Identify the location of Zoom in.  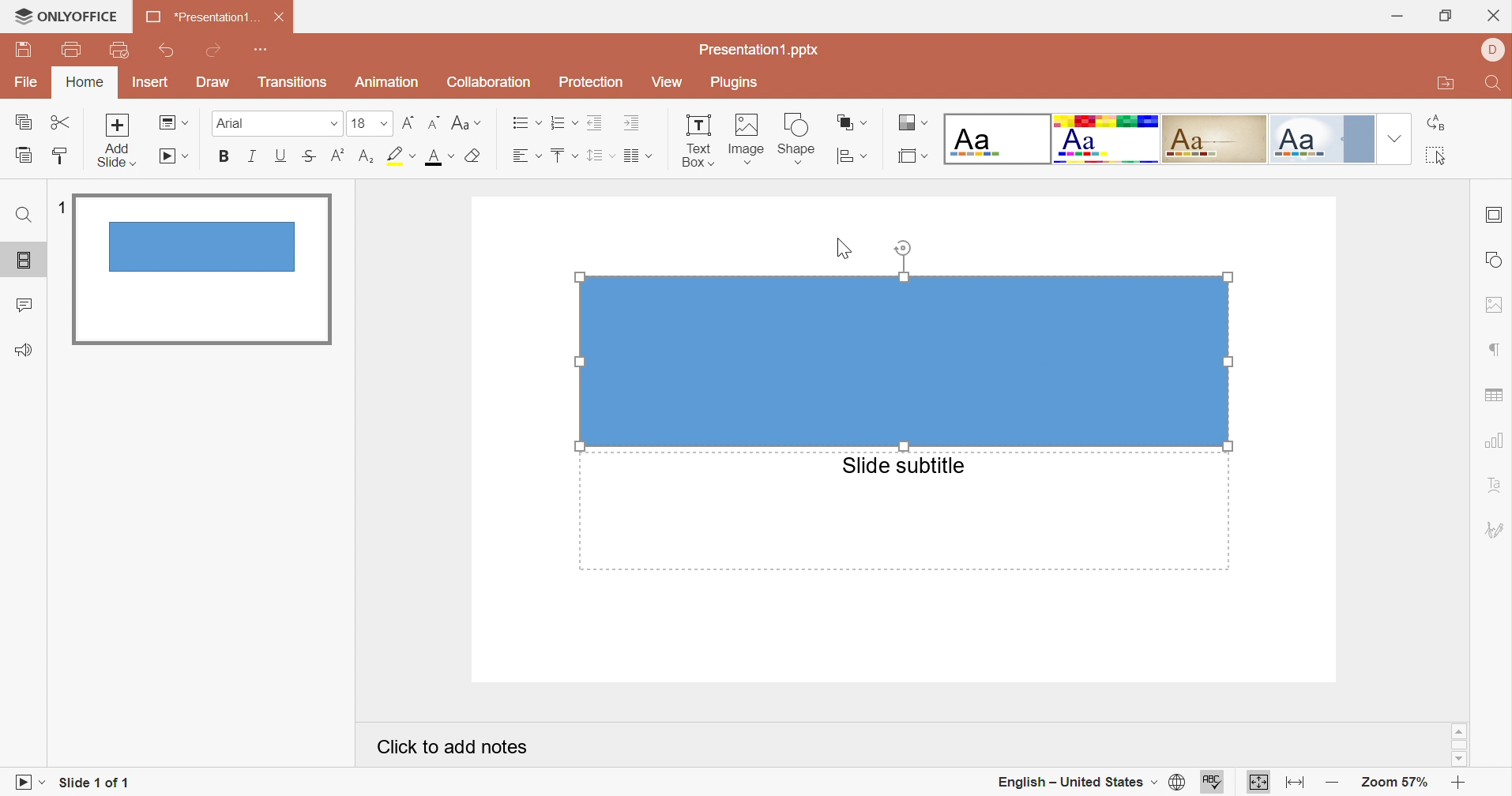
(1458, 785).